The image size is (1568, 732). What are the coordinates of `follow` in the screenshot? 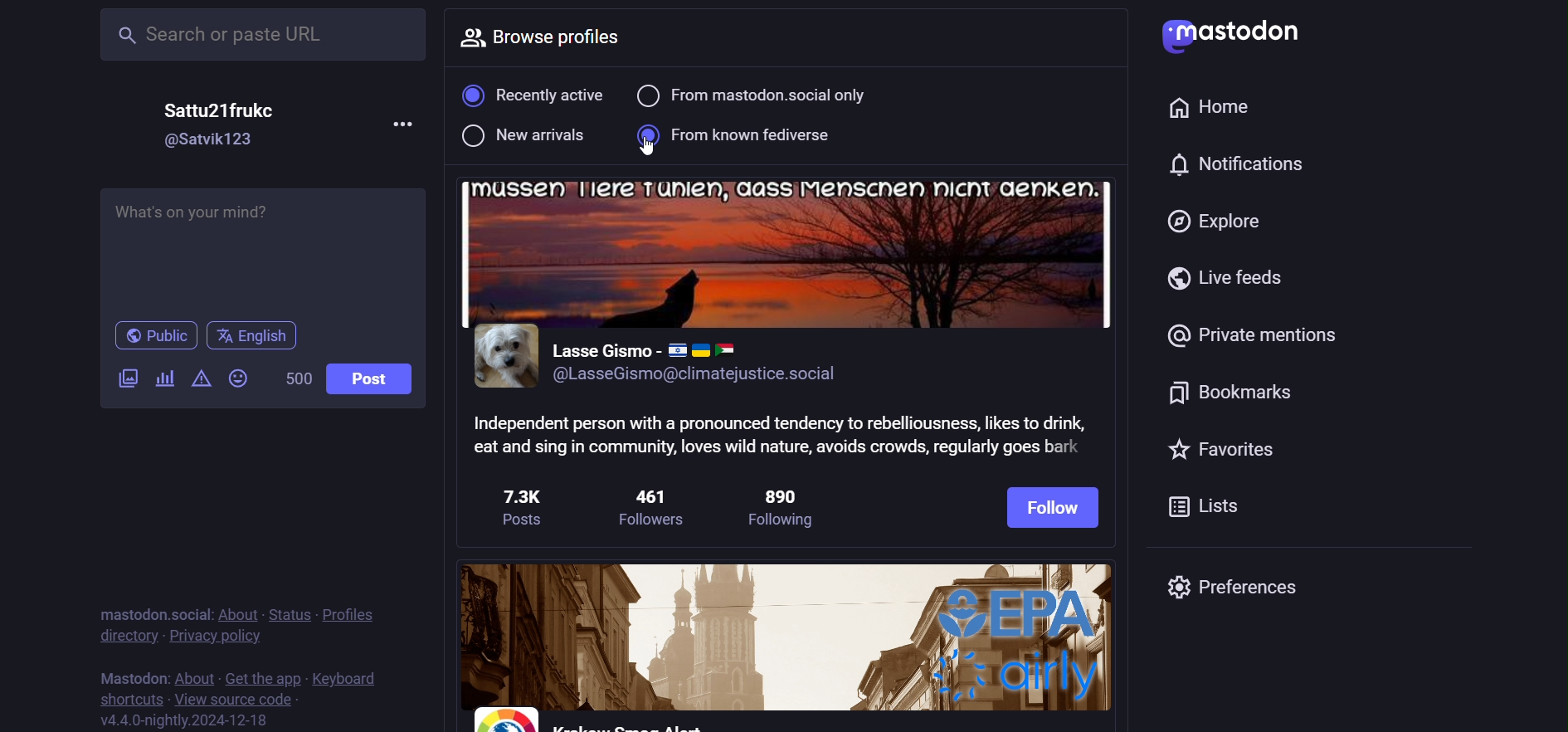 It's located at (1057, 508).